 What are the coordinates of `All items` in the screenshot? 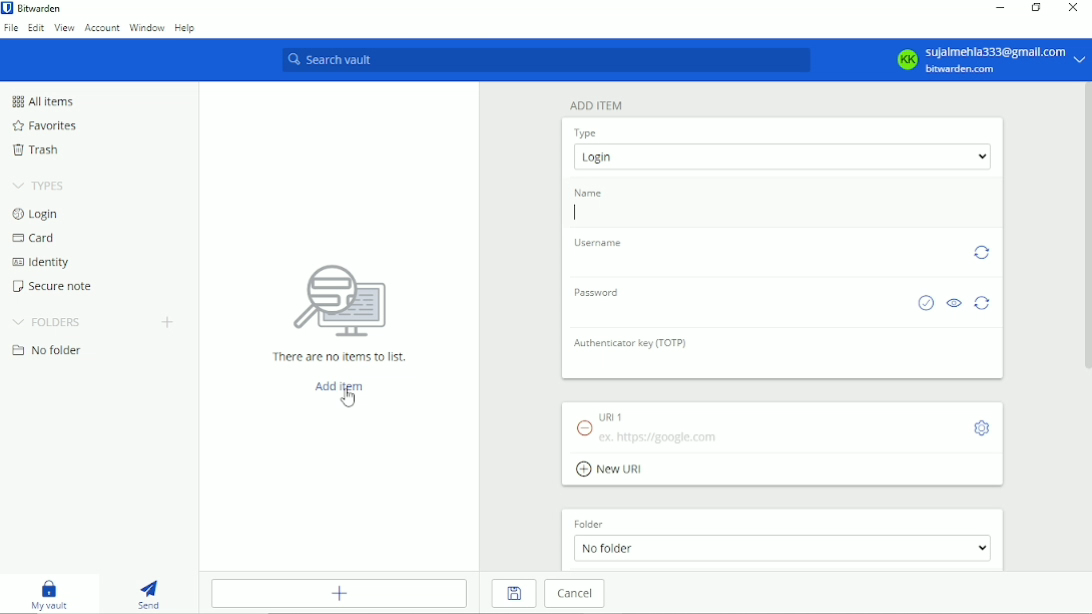 It's located at (42, 101).